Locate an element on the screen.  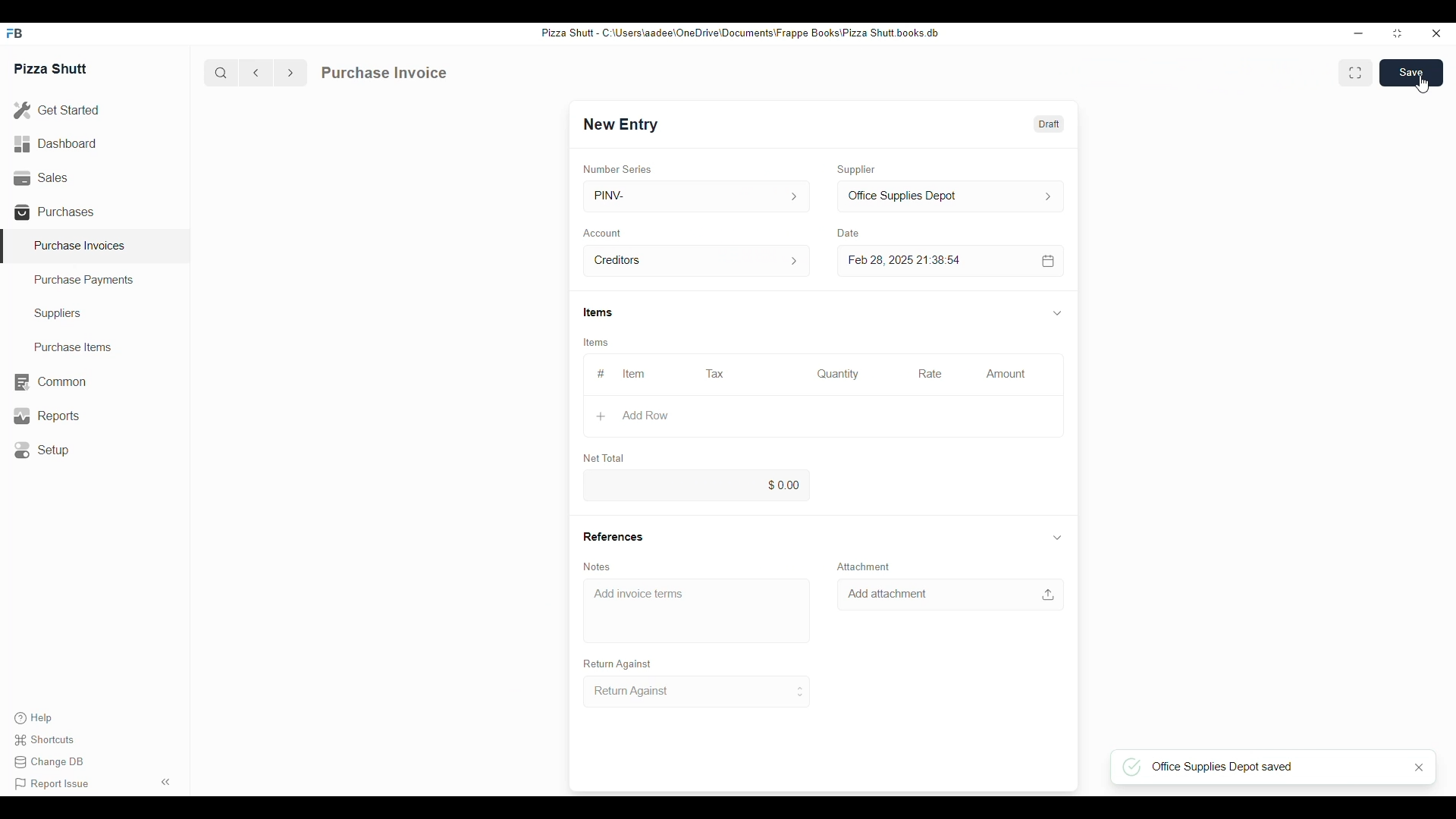
Date is located at coordinates (849, 233).